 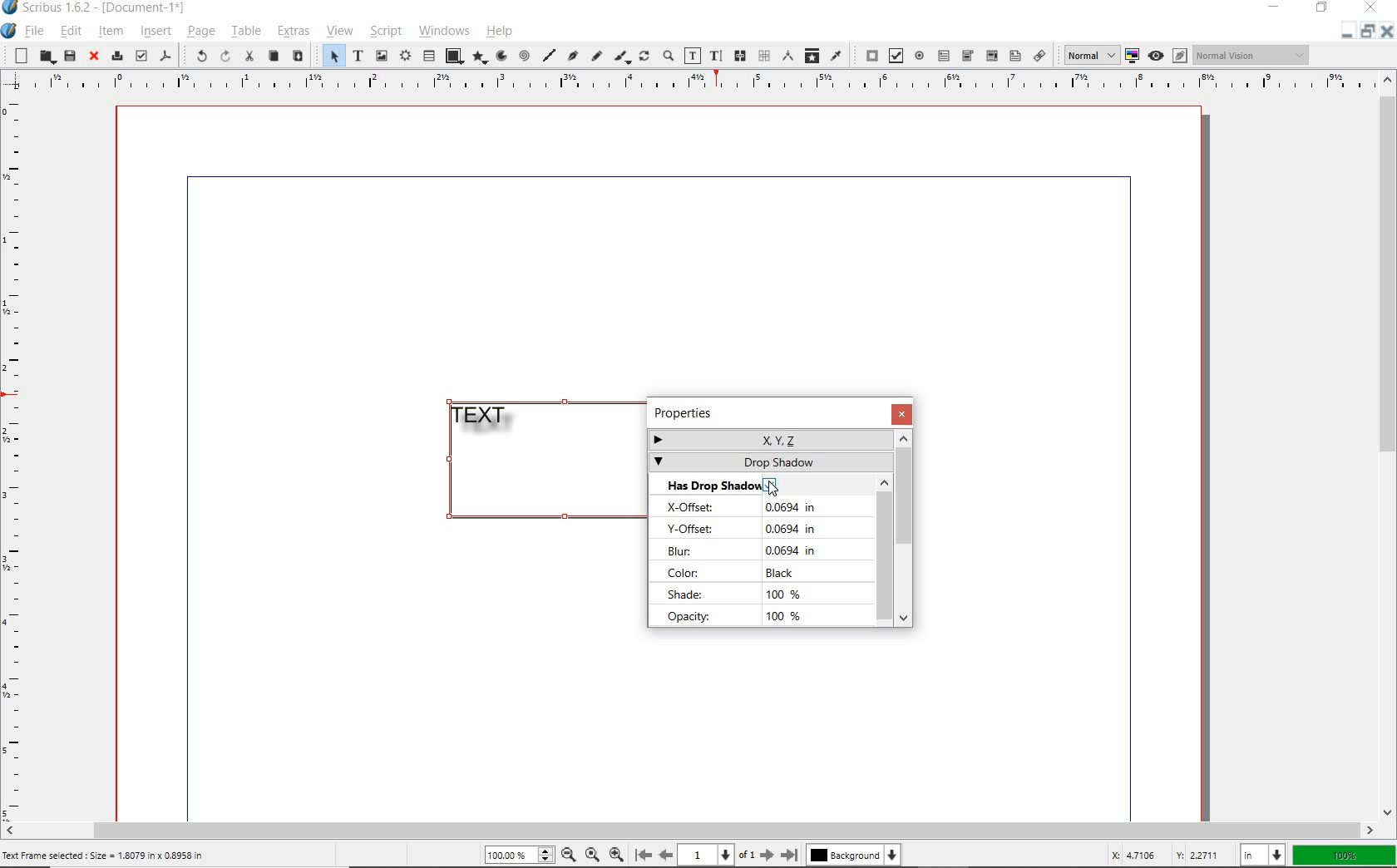 I want to click on shade, so click(x=737, y=594).